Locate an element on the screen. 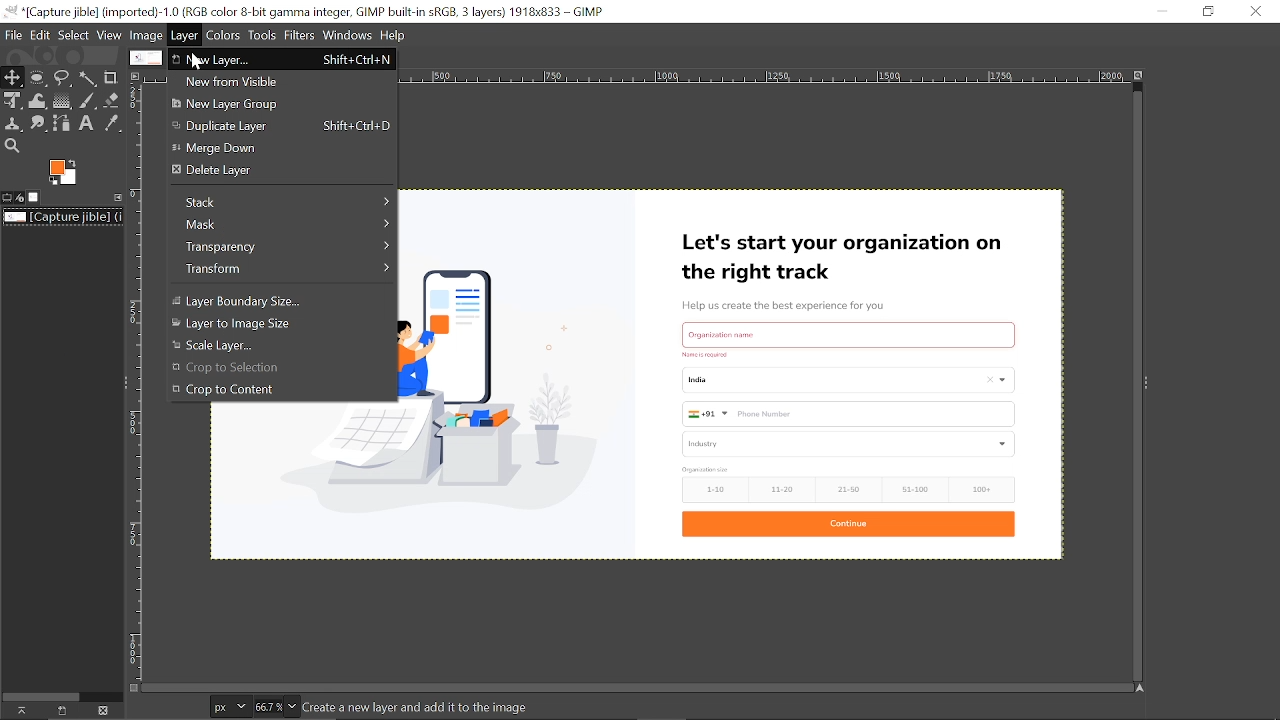 The width and height of the screenshot is (1280, 720). Scale layer is located at coordinates (274, 344).